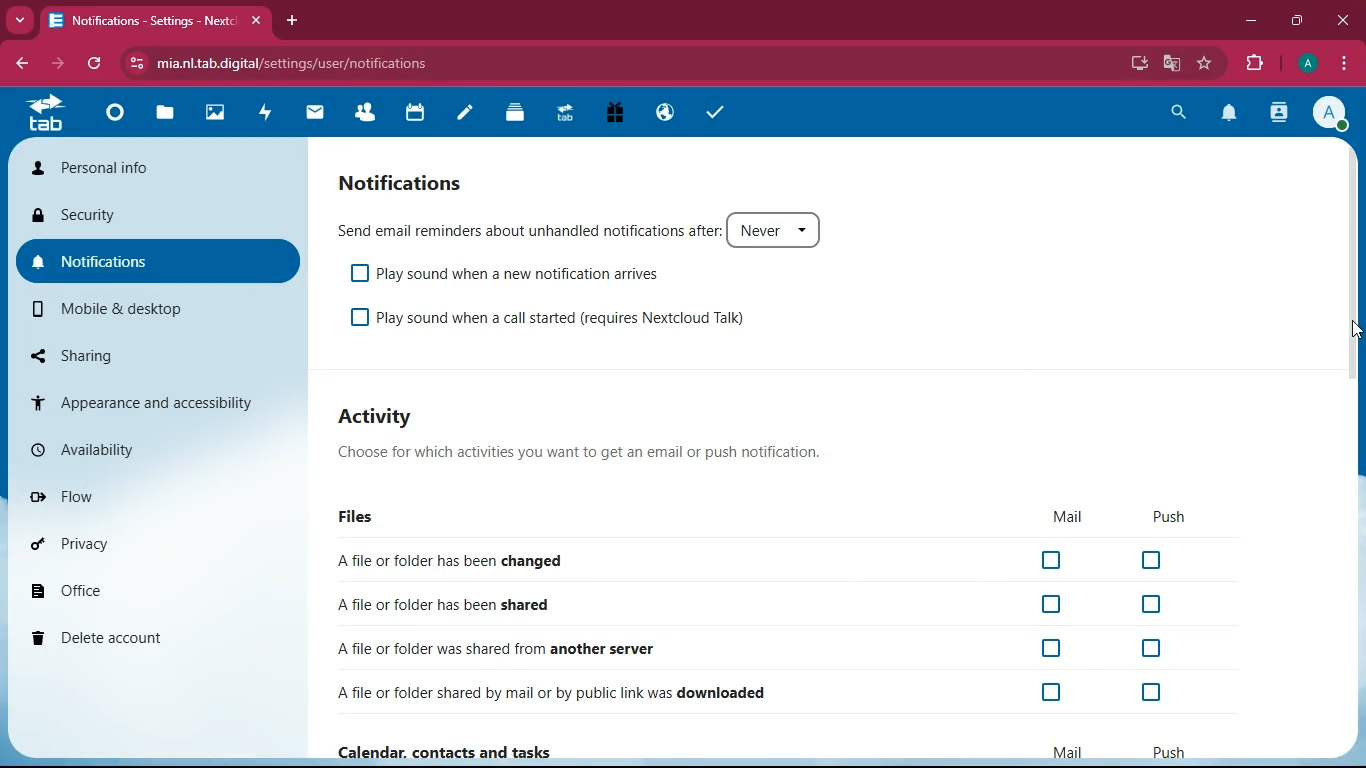 Image resolution: width=1366 pixels, height=768 pixels. Describe the element at coordinates (1051, 646) in the screenshot. I see `off` at that location.